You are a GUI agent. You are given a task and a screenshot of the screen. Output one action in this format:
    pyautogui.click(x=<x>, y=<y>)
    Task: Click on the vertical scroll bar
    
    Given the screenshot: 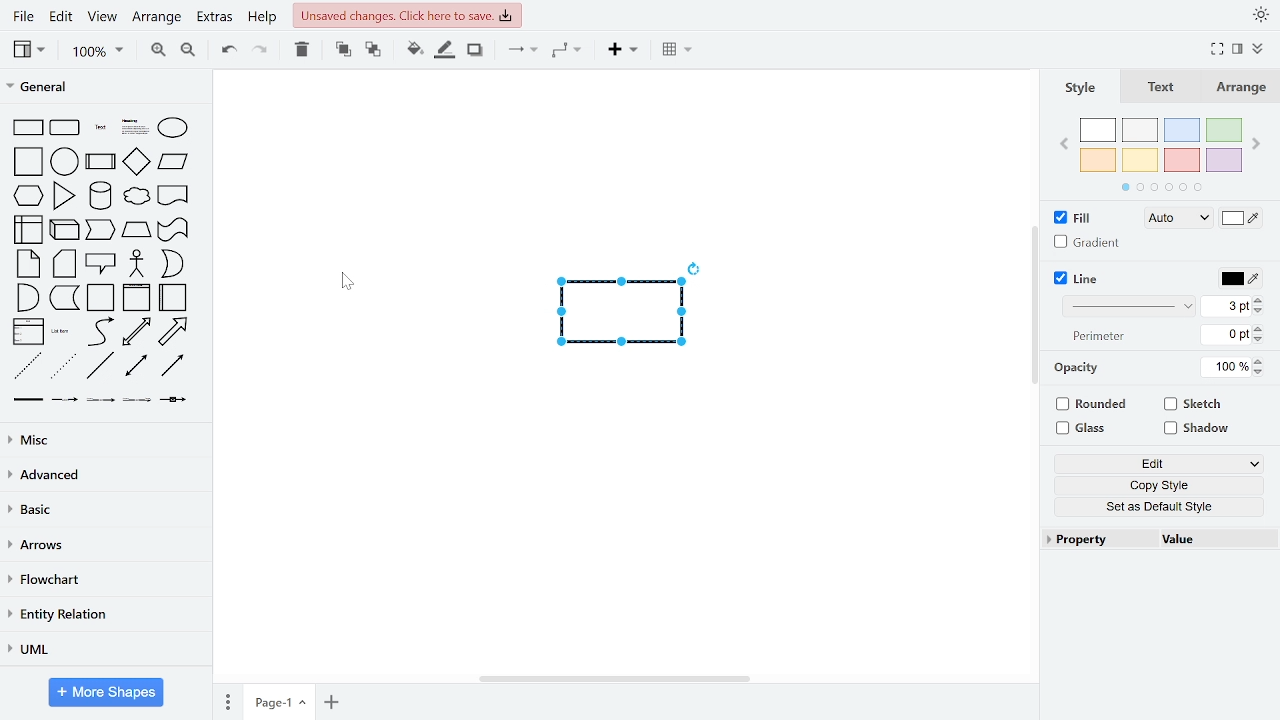 What is the action you would take?
    pyautogui.click(x=1036, y=299)
    